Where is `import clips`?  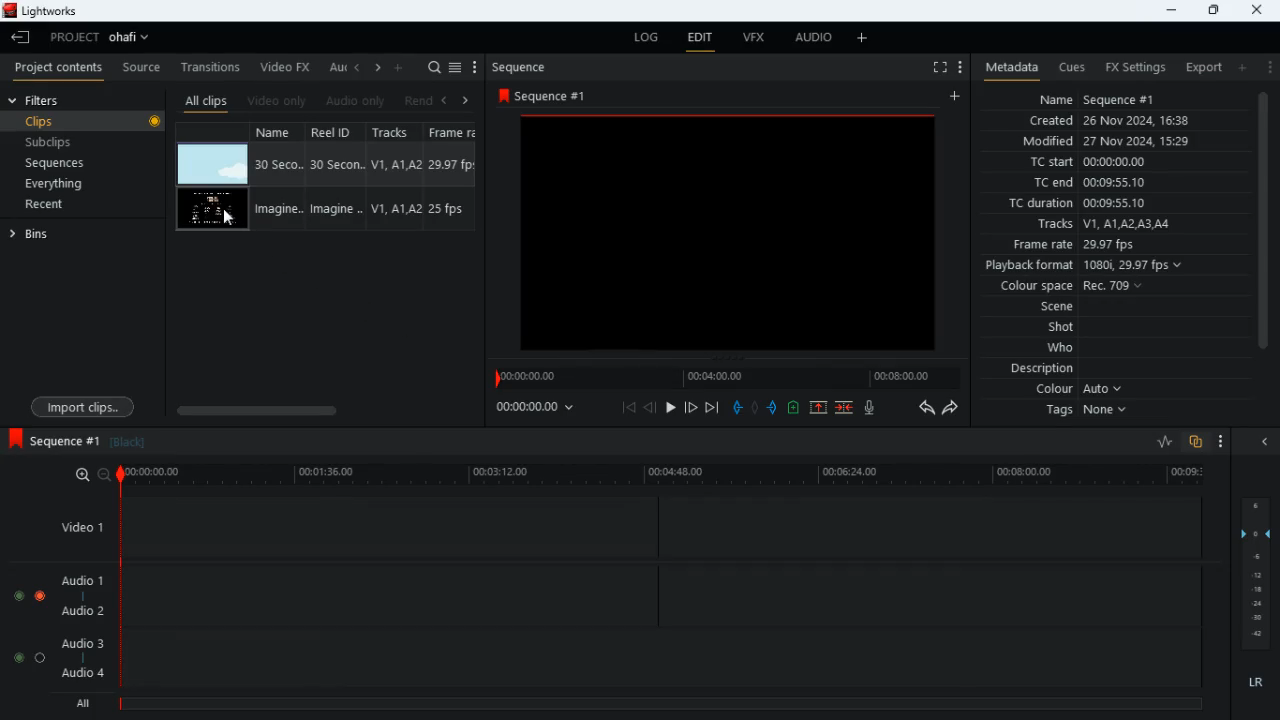 import clips is located at coordinates (83, 406).